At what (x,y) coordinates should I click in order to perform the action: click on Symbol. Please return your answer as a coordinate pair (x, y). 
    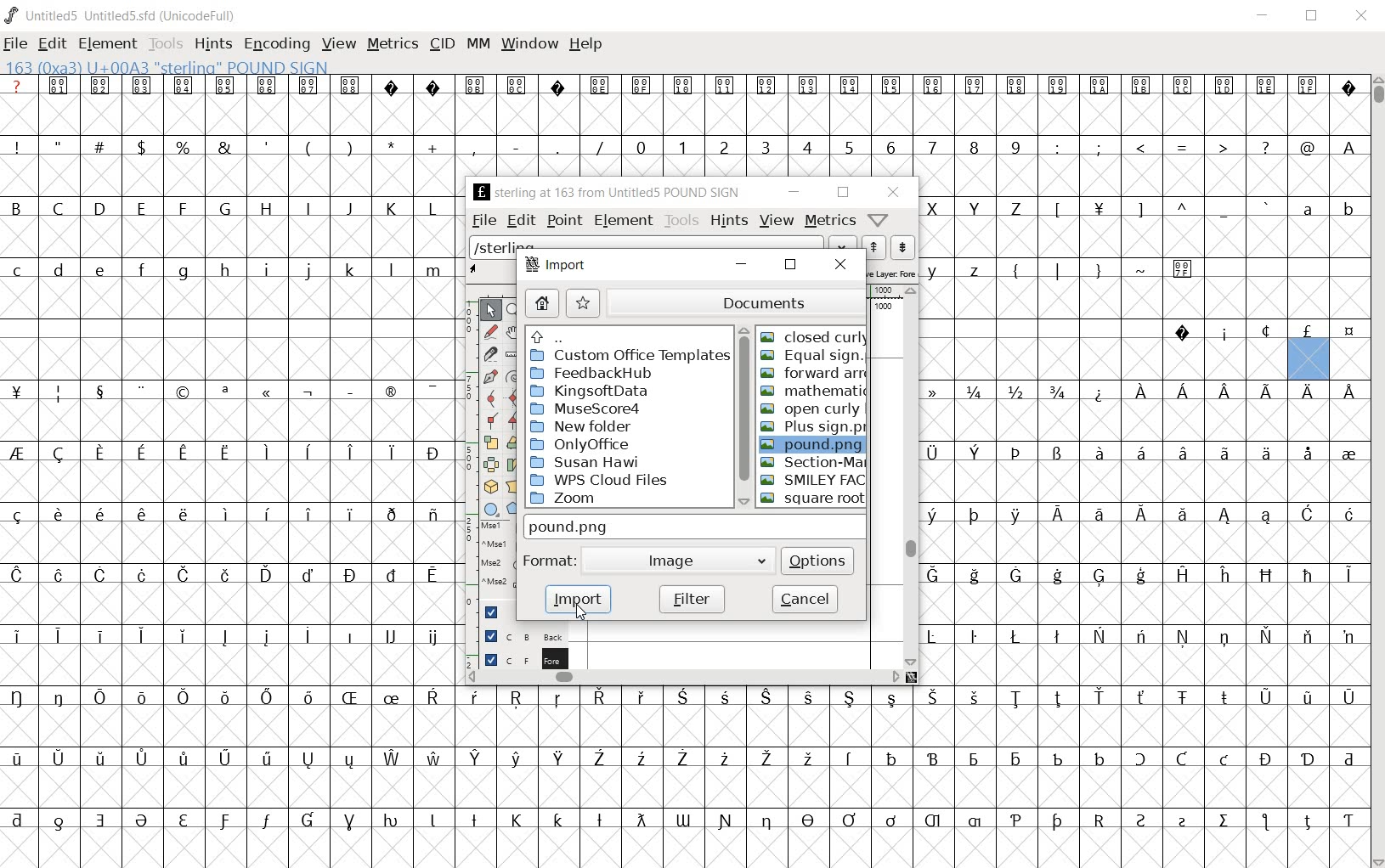
    Looking at the image, I should click on (558, 759).